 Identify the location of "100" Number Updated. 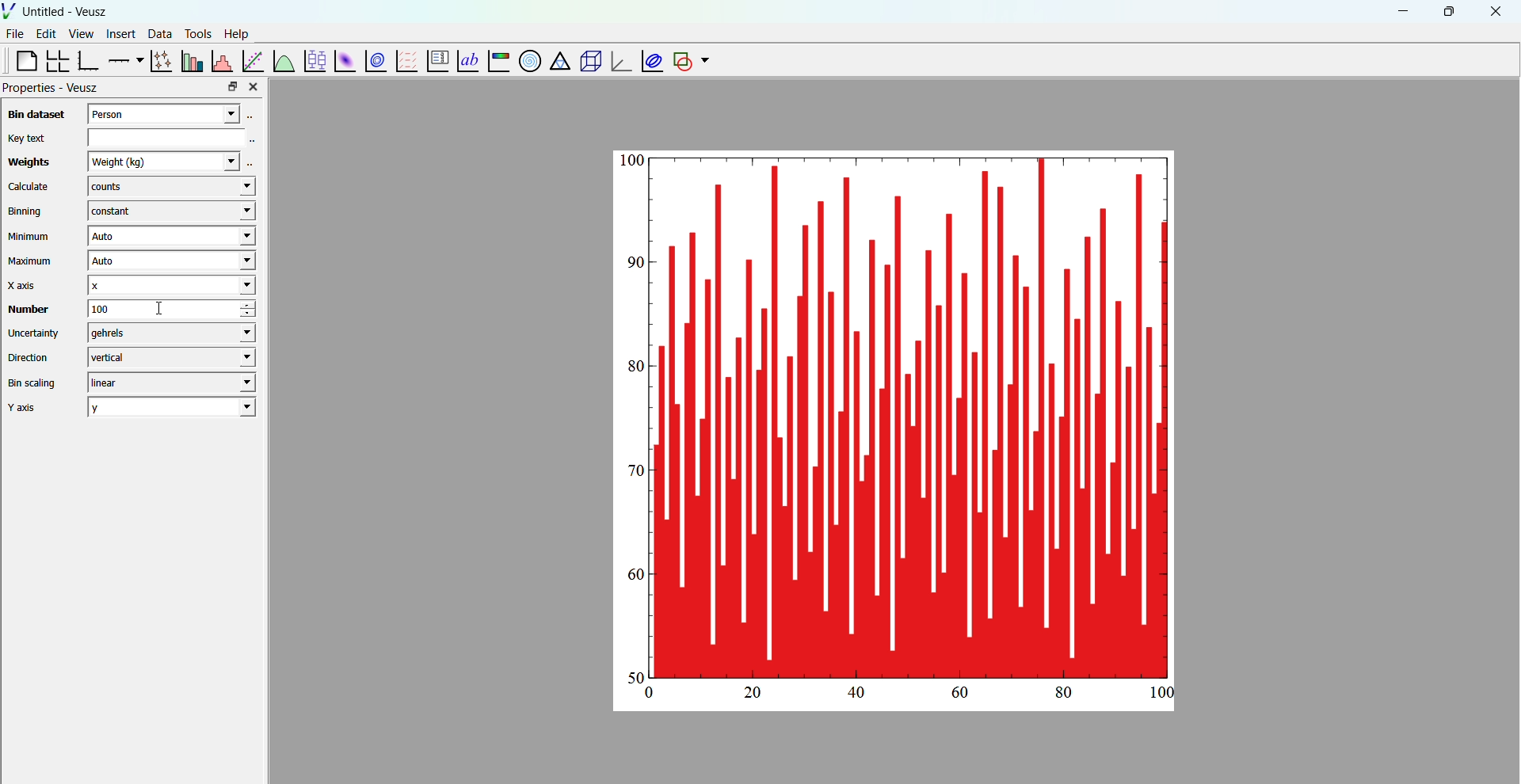
(150, 309).